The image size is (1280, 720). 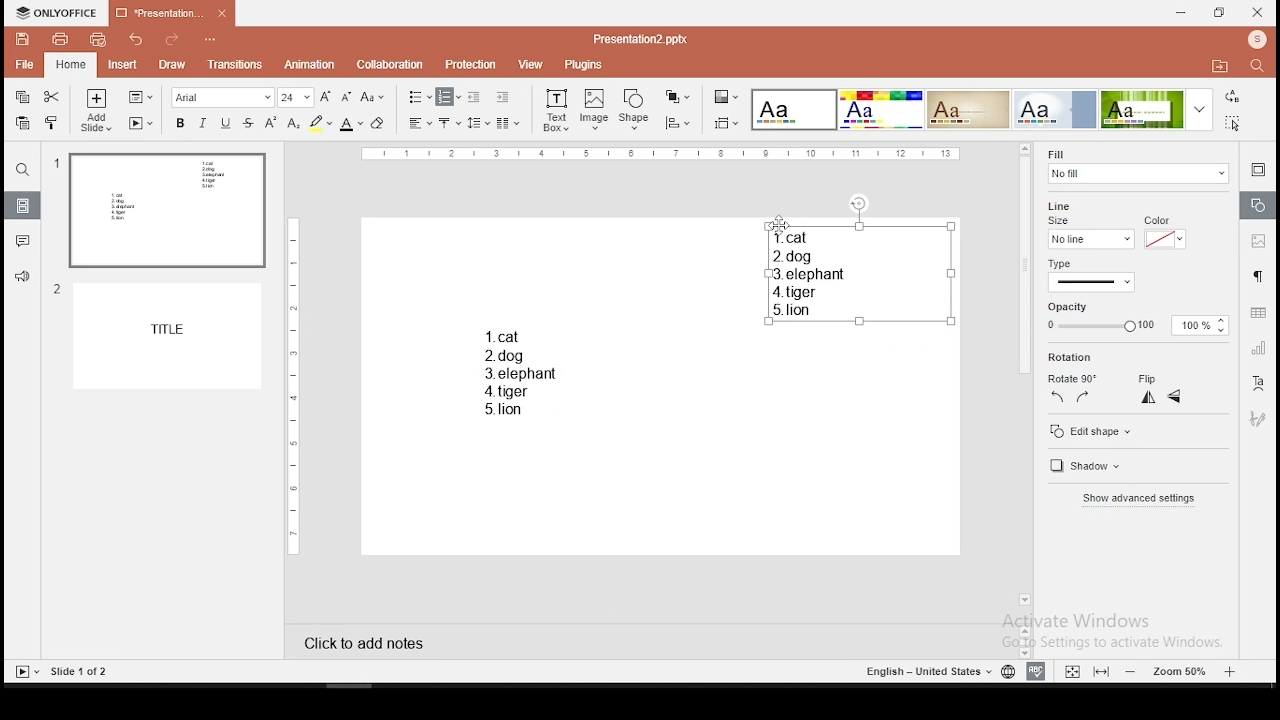 I want to click on English, so click(x=920, y=671).